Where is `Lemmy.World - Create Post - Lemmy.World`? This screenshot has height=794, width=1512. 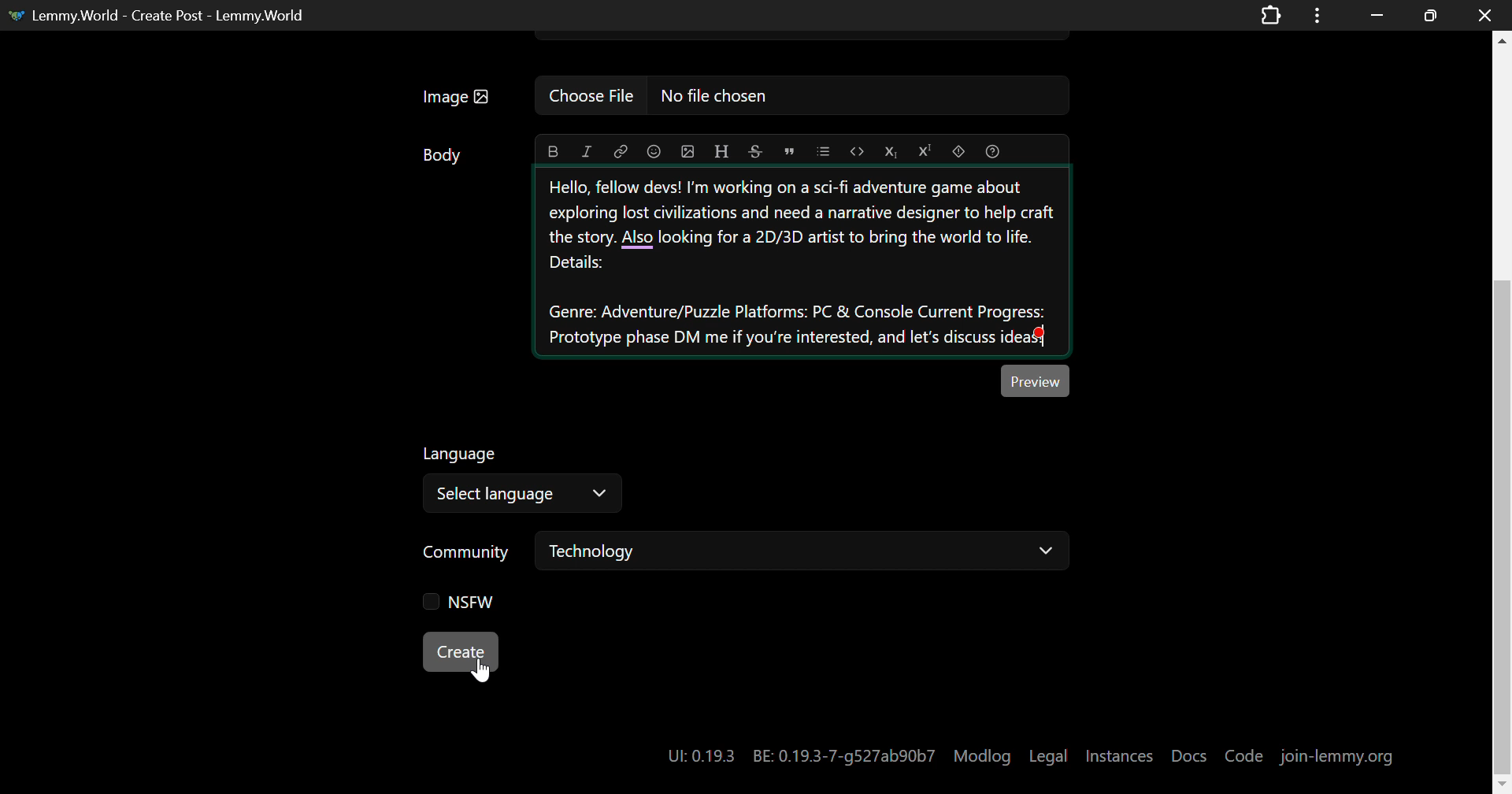 Lemmy.World - Create Post - Lemmy.World is located at coordinates (169, 14).